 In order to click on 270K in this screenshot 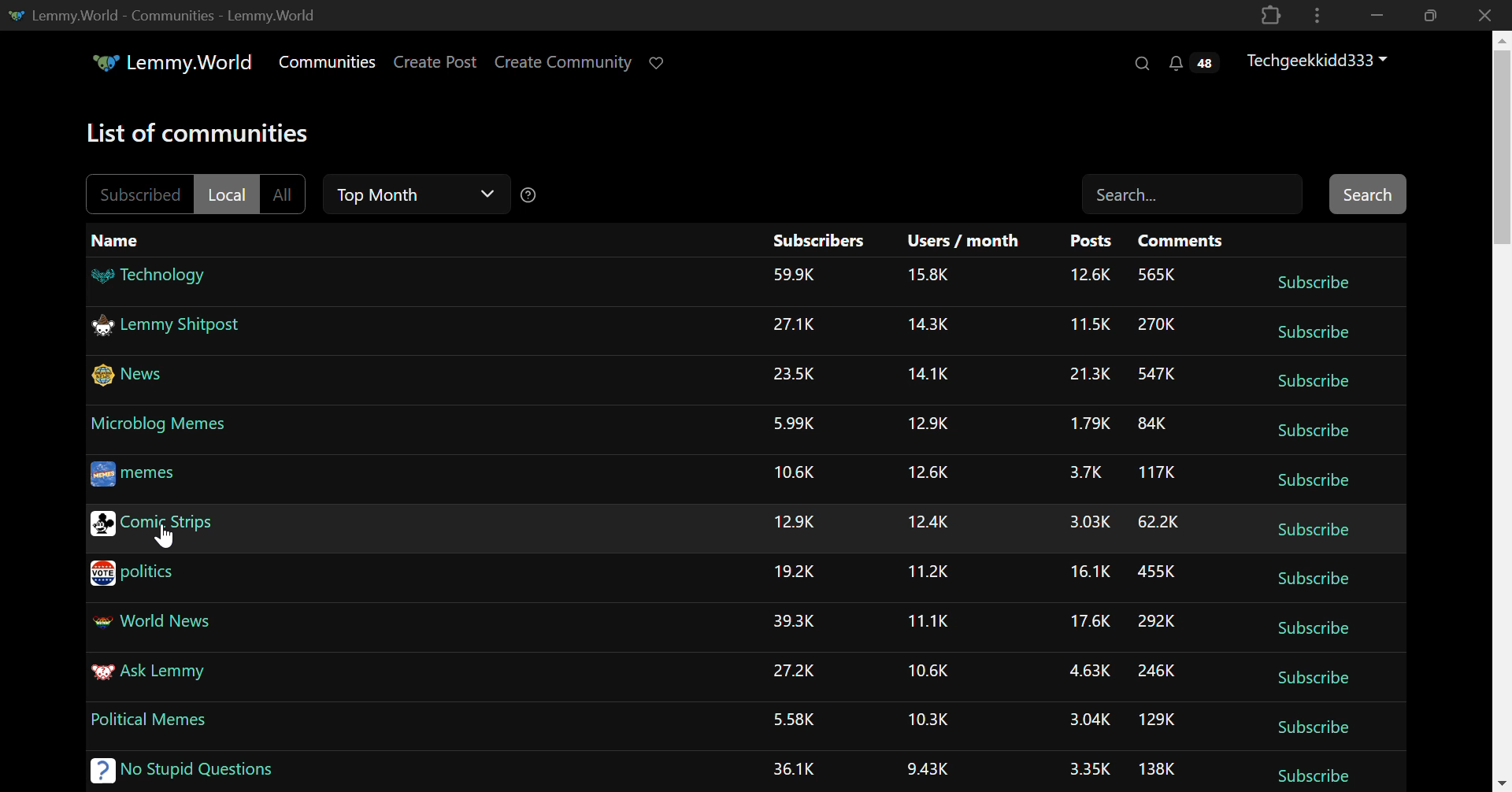, I will do `click(1161, 323)`.